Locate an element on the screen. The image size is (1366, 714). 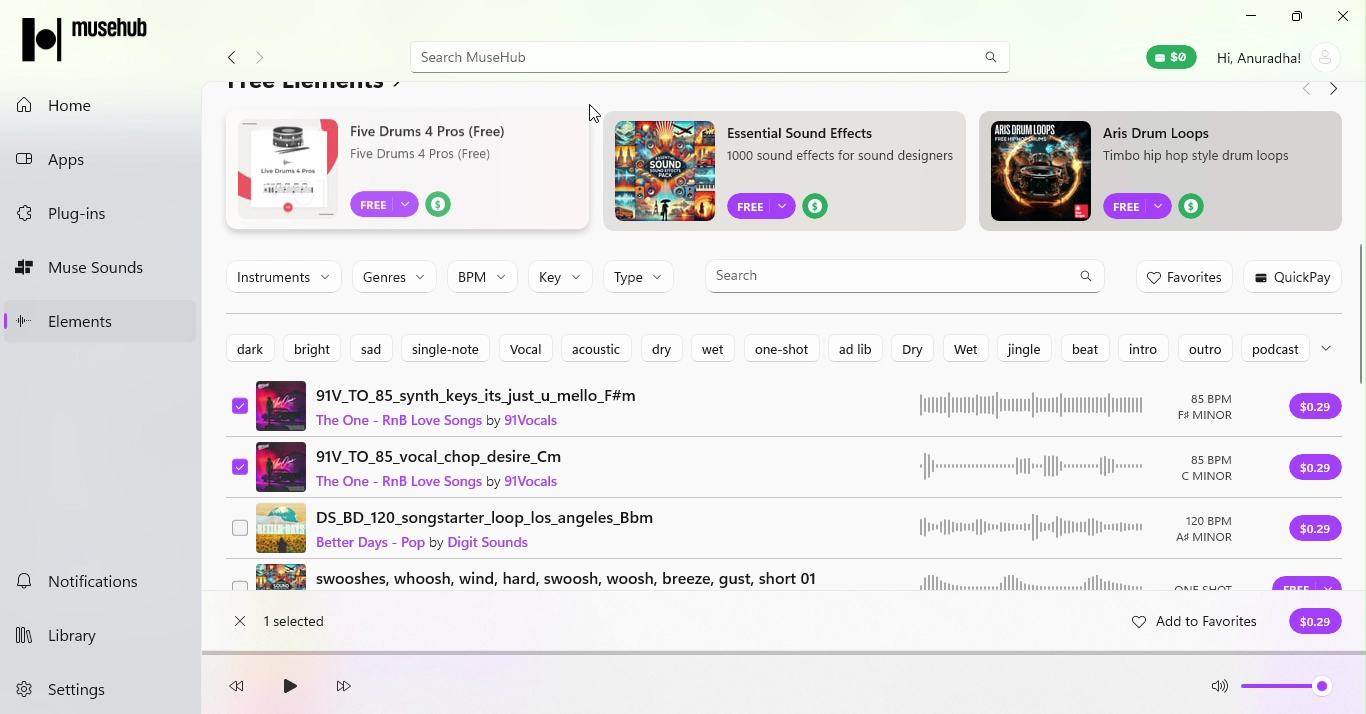
Volume level is located at coordinates (1289, 691).